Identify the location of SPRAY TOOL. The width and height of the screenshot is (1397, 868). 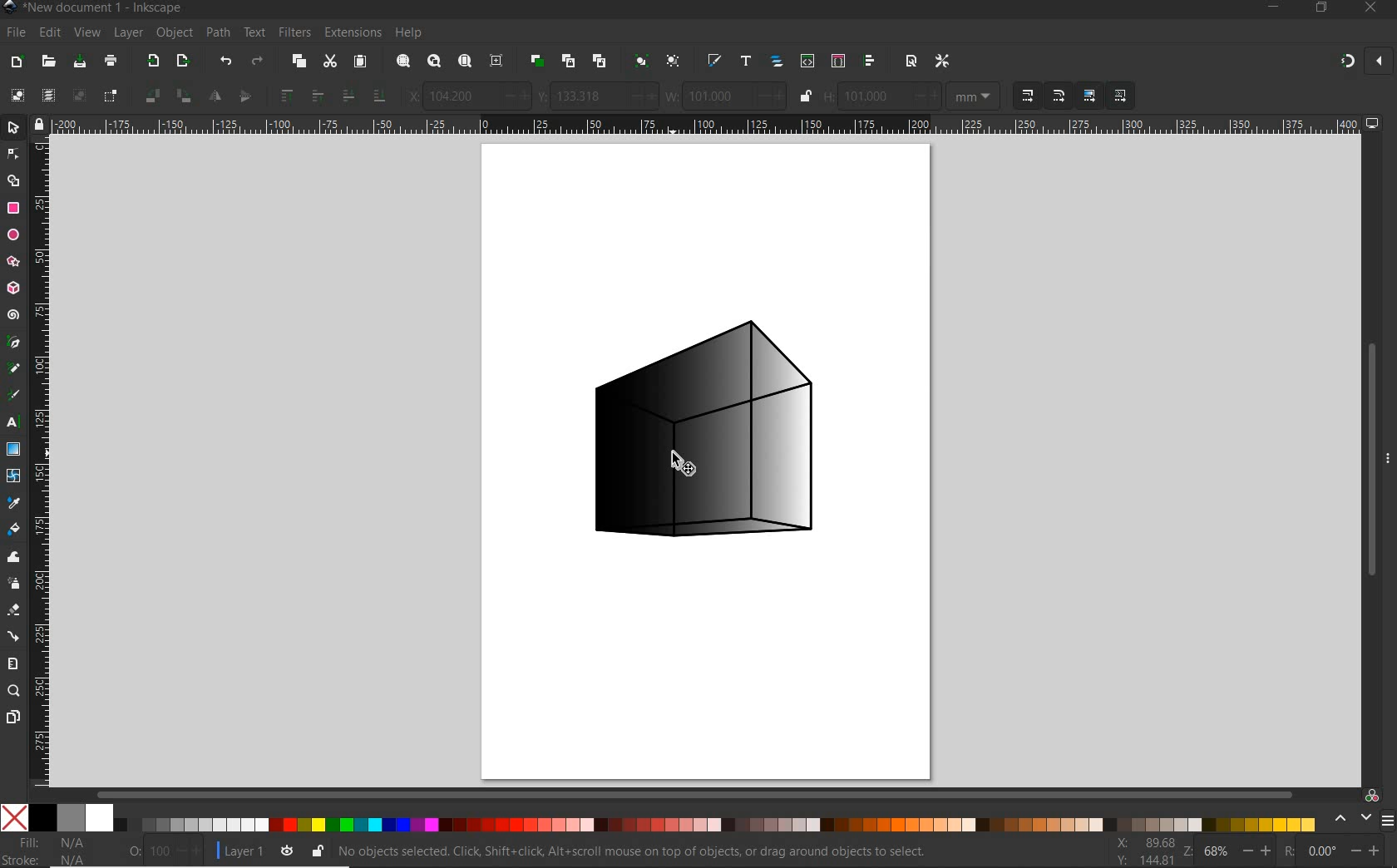
(16, 584).